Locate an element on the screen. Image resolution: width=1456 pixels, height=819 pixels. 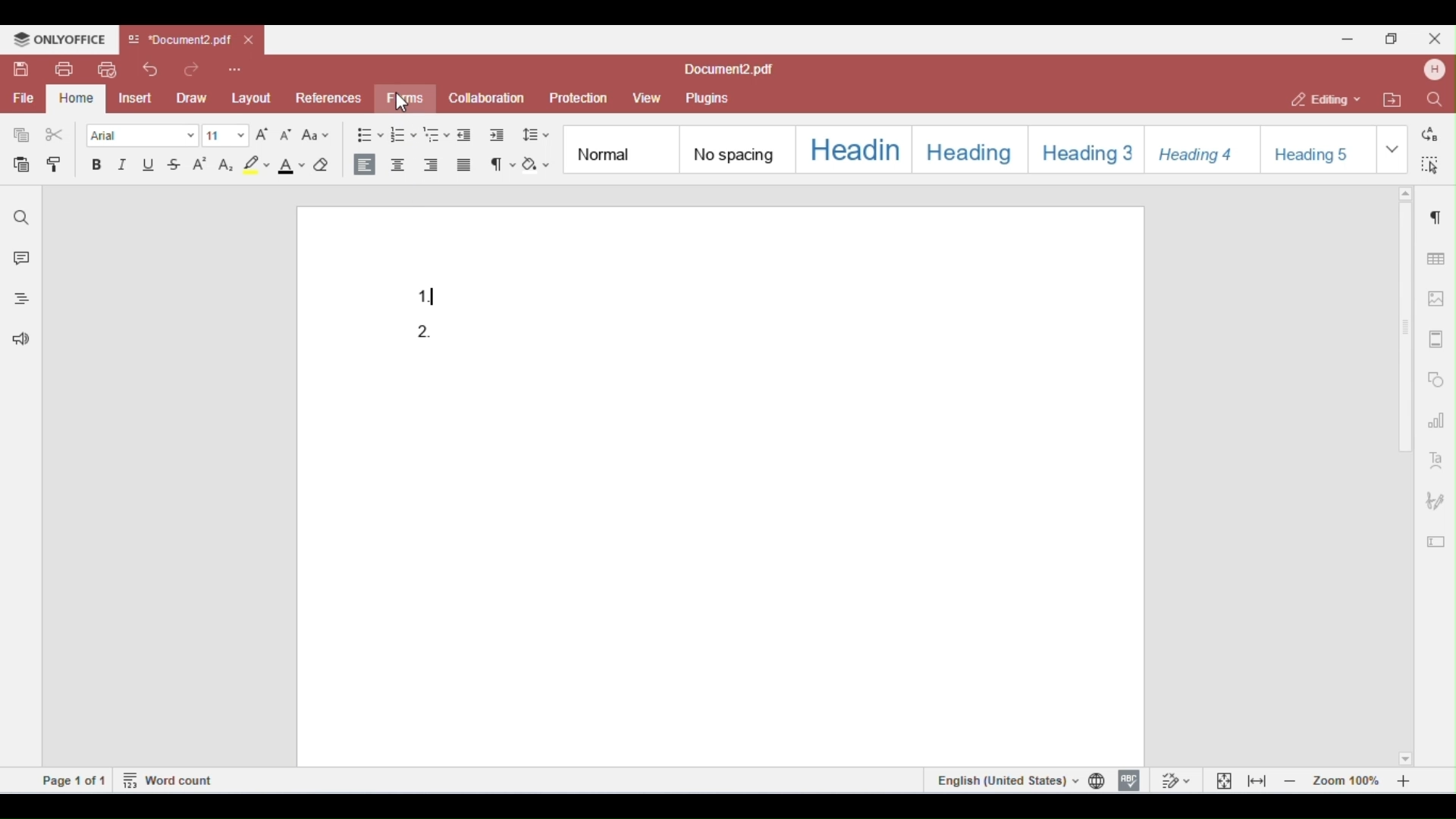
minimize is located at coordinates (1348, 37).